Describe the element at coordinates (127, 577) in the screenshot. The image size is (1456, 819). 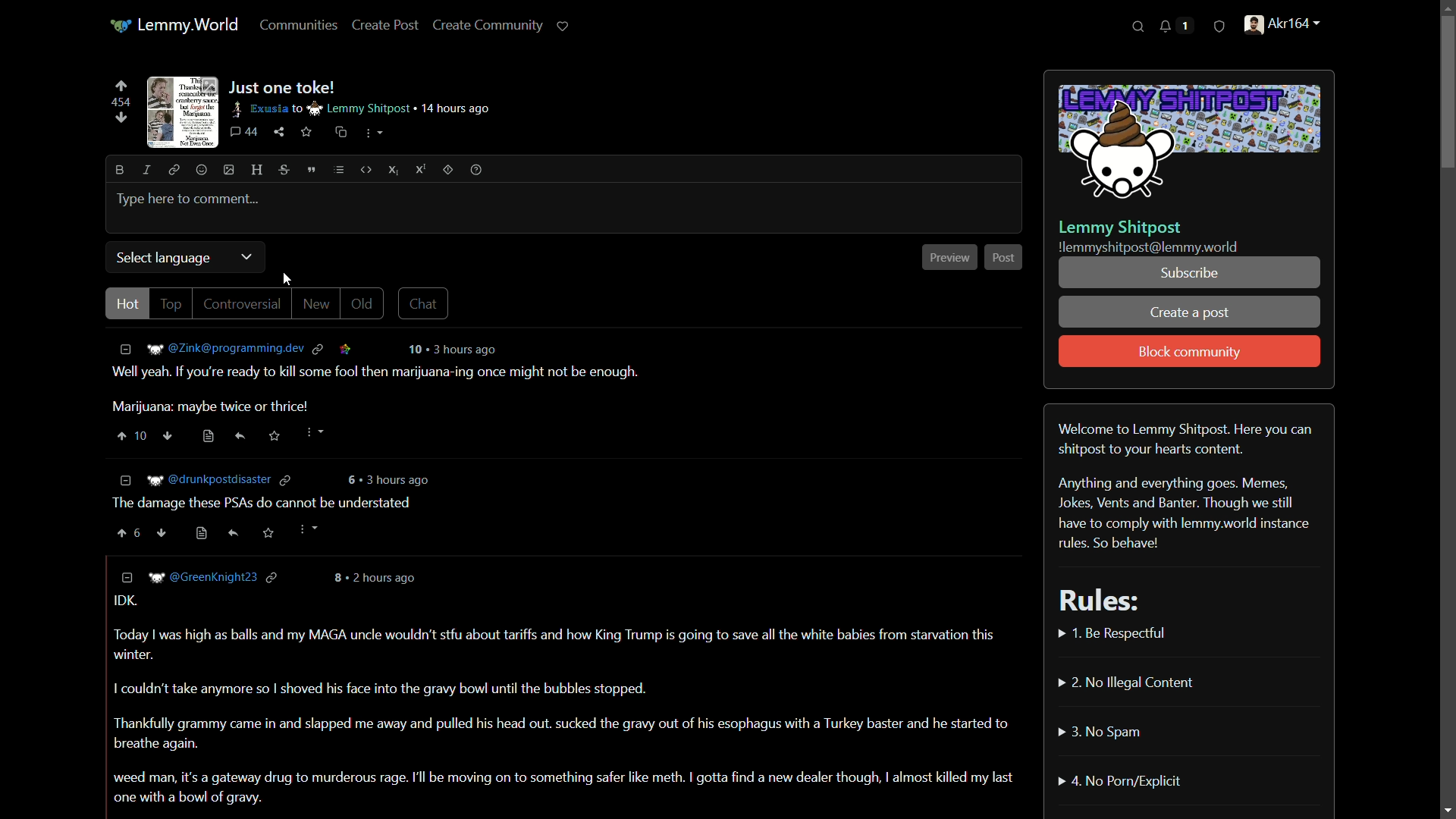
I see `less information` at that location.